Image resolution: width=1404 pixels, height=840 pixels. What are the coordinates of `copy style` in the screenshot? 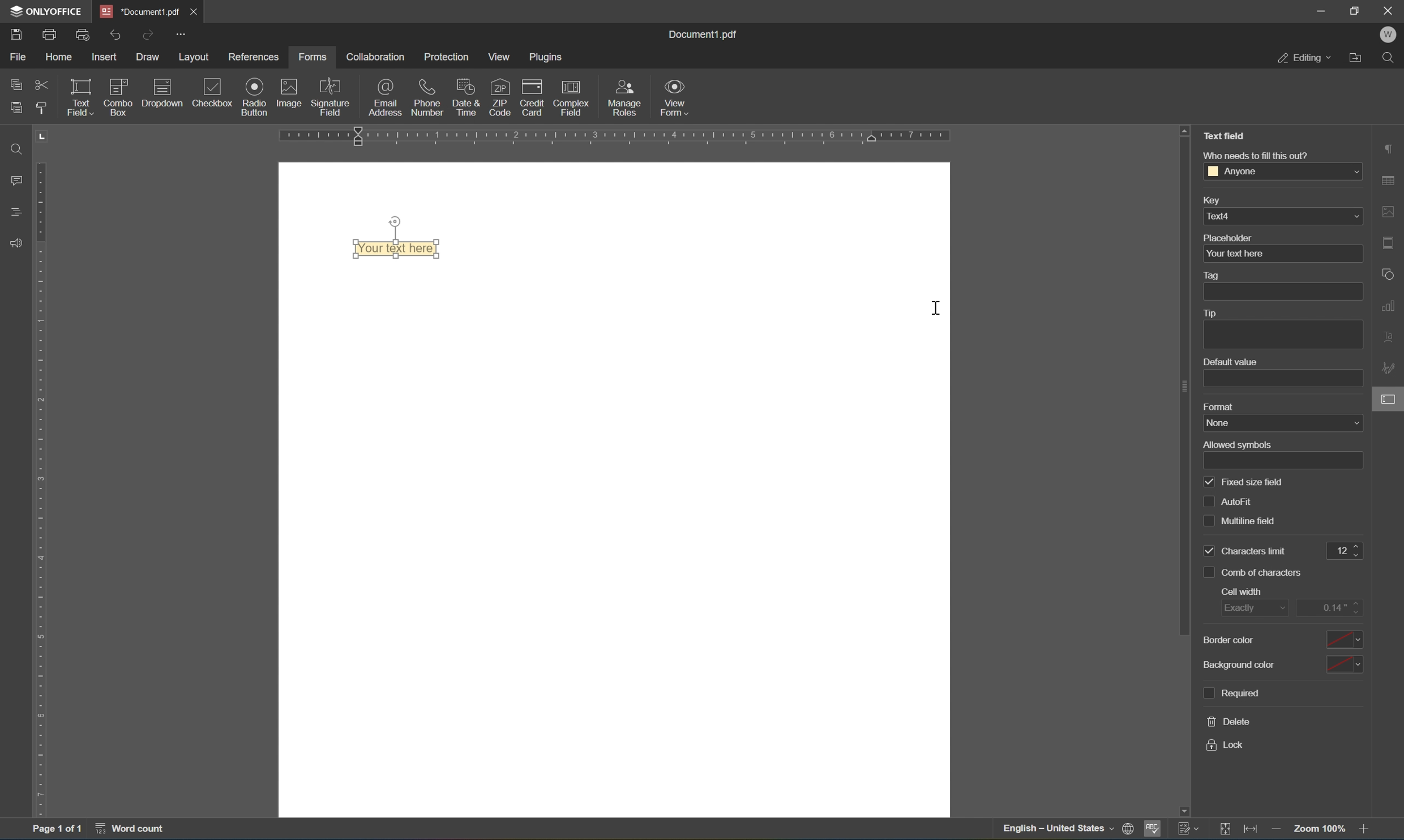 It's located at (41, 108).